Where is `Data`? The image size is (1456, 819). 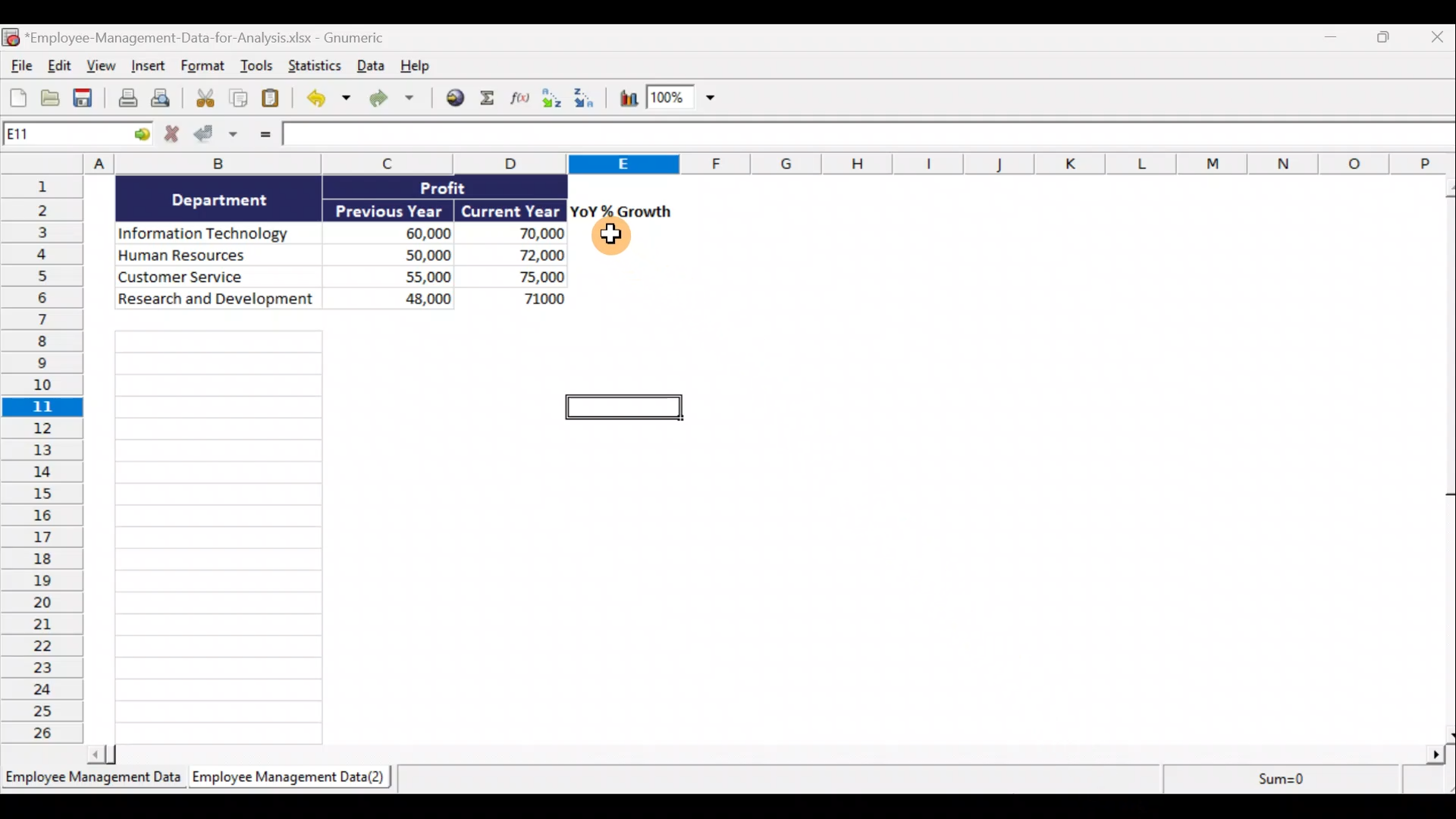 Data is located at coordinates (368, 67).